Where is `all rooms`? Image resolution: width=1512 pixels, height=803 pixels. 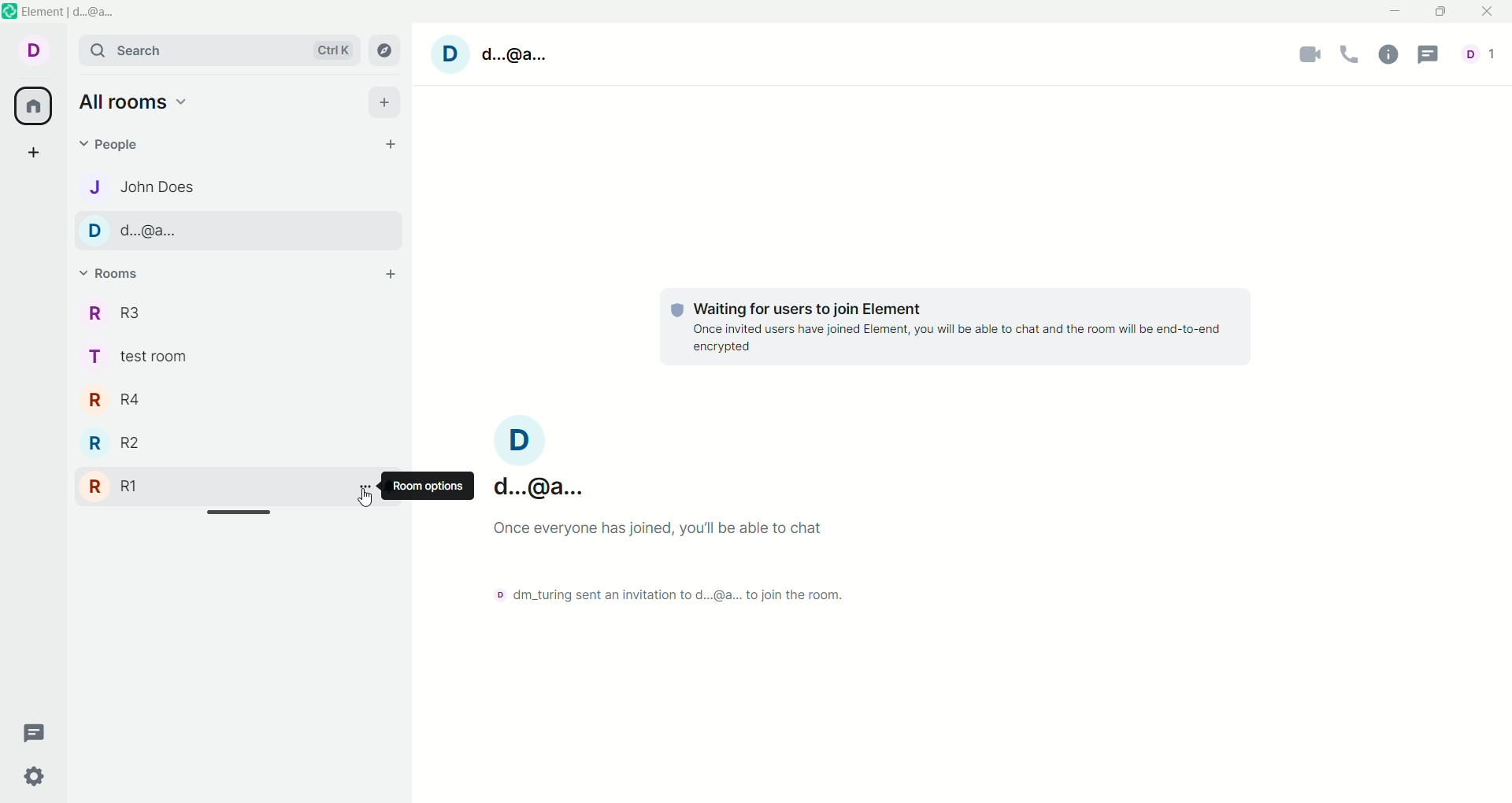
all rooms is located at coordinates (34, 105).